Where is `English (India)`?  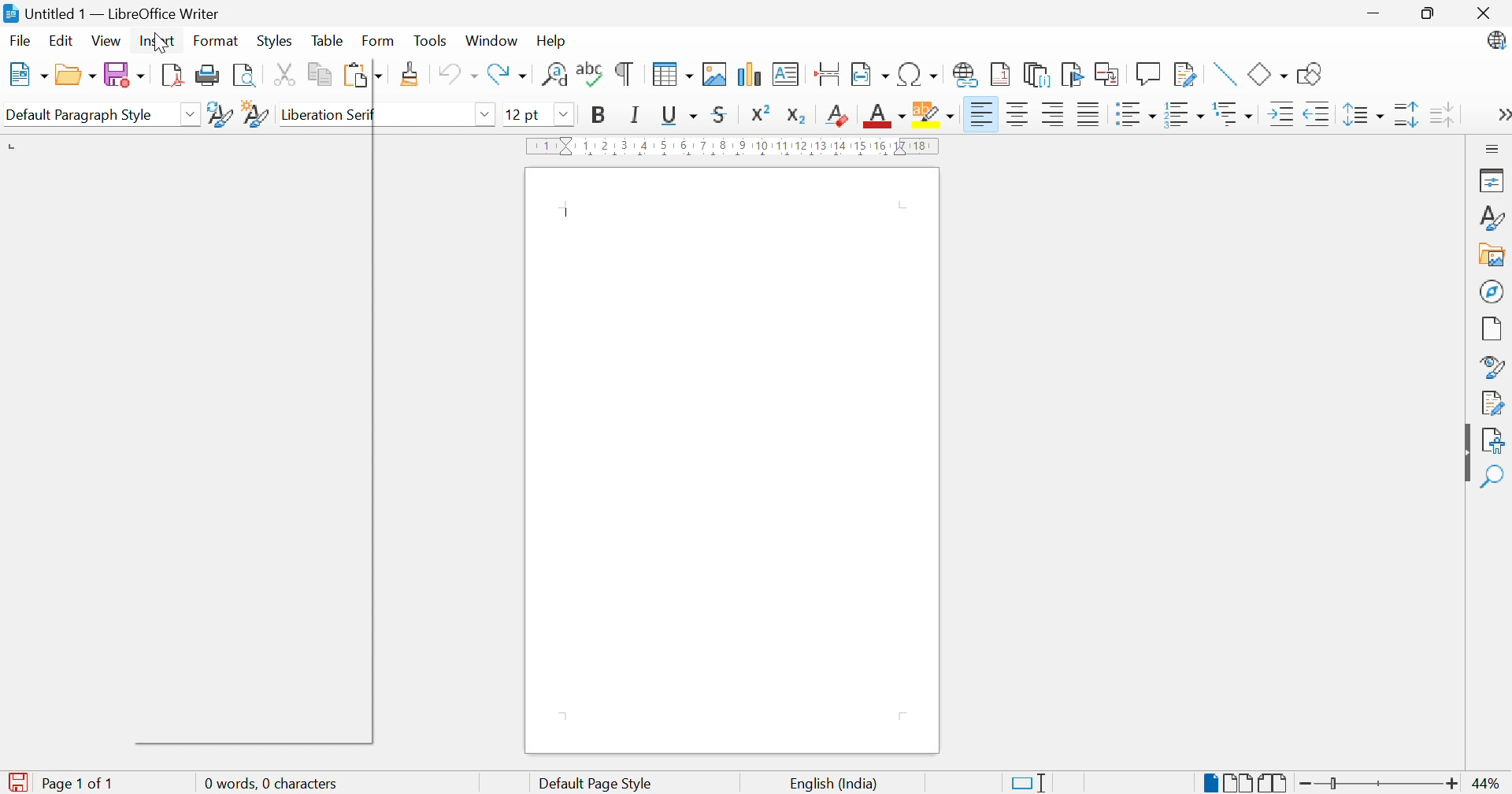 English (India) is located at coordinates (832, 785).